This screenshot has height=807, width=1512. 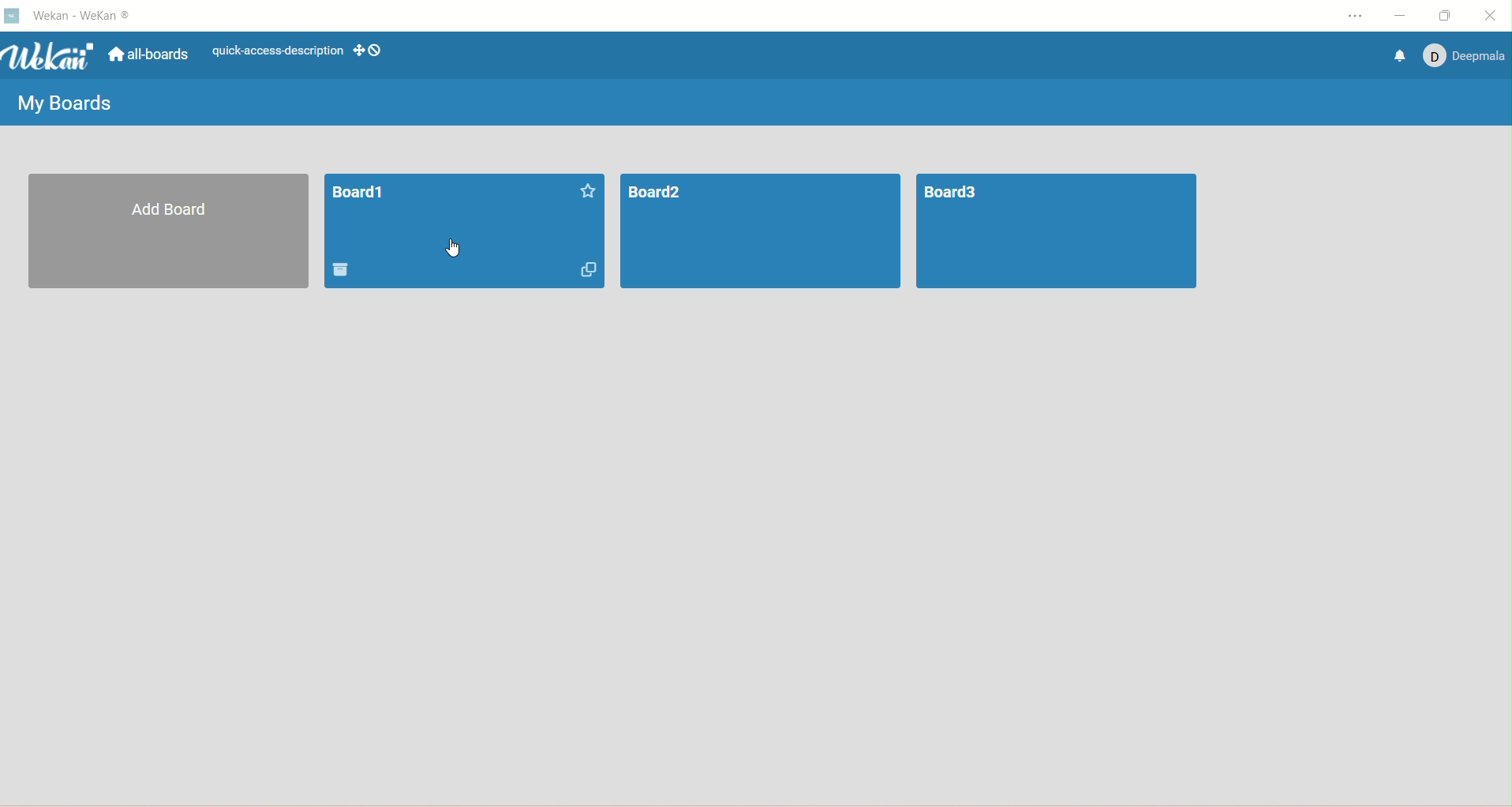 I want to click on text, so click(x=276, y=52).